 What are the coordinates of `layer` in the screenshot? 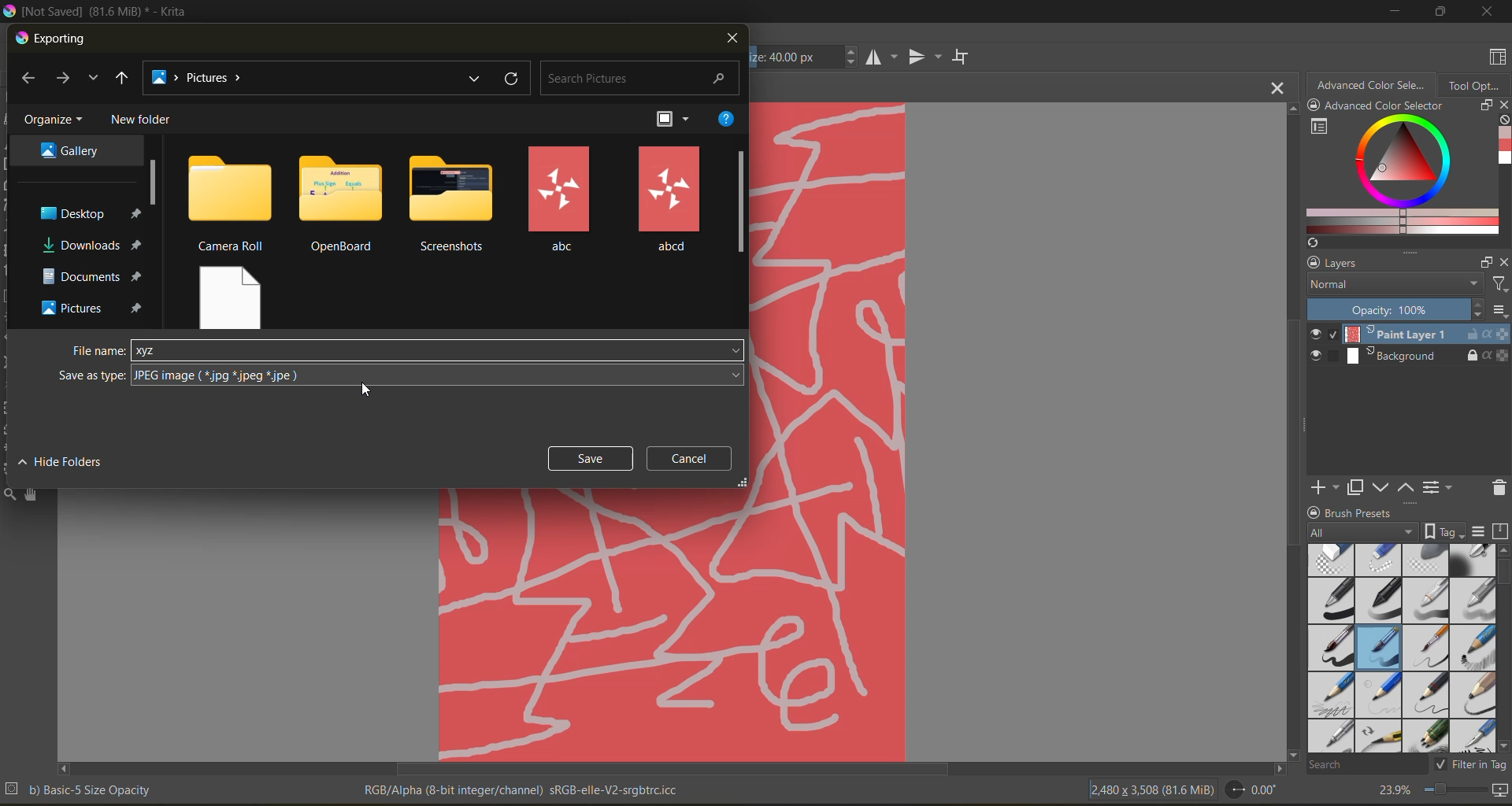 It's located at (1410, 357).